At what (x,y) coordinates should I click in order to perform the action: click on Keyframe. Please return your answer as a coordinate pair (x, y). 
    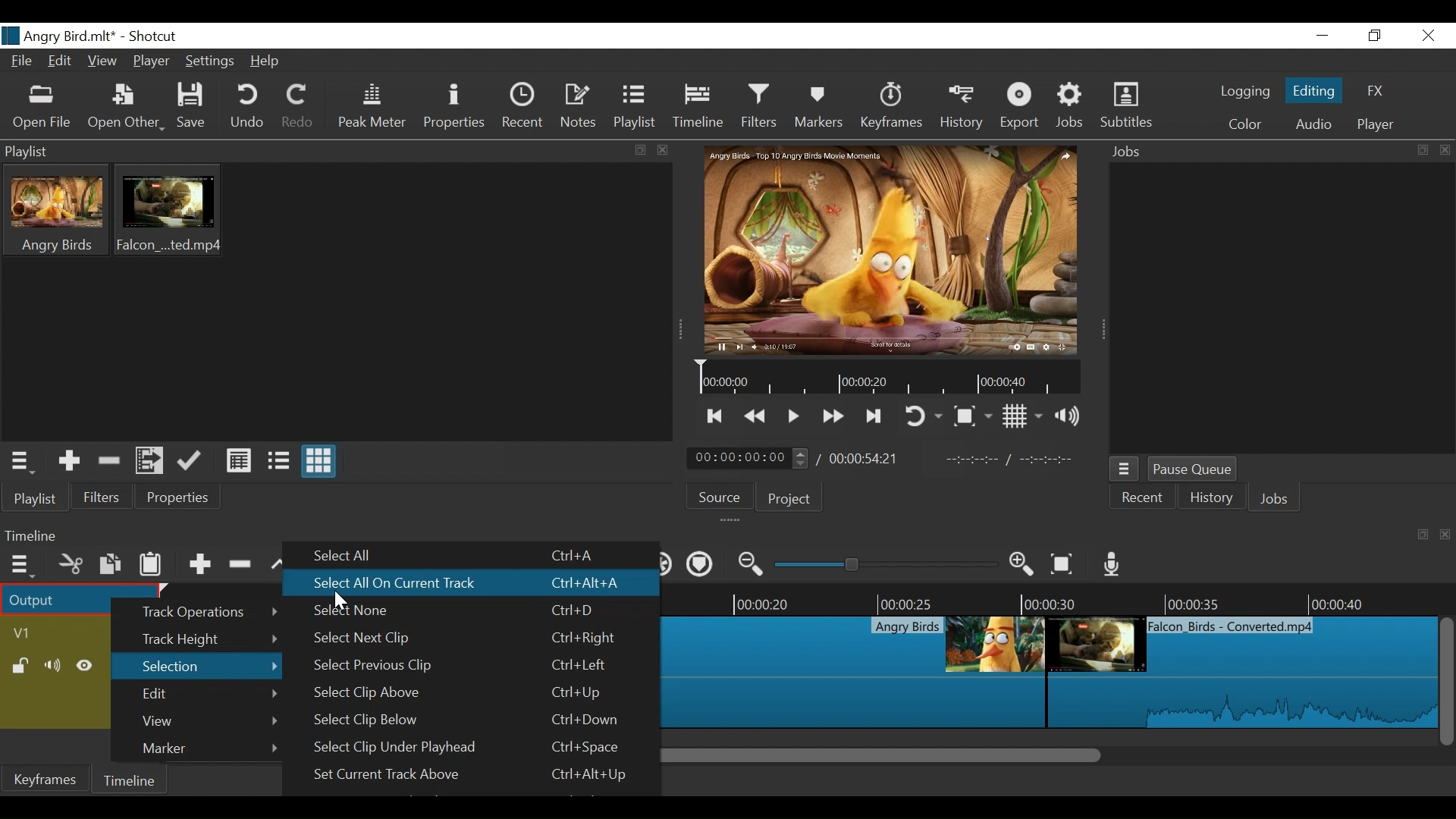
    Looking at the image, I should click on (49, 778).